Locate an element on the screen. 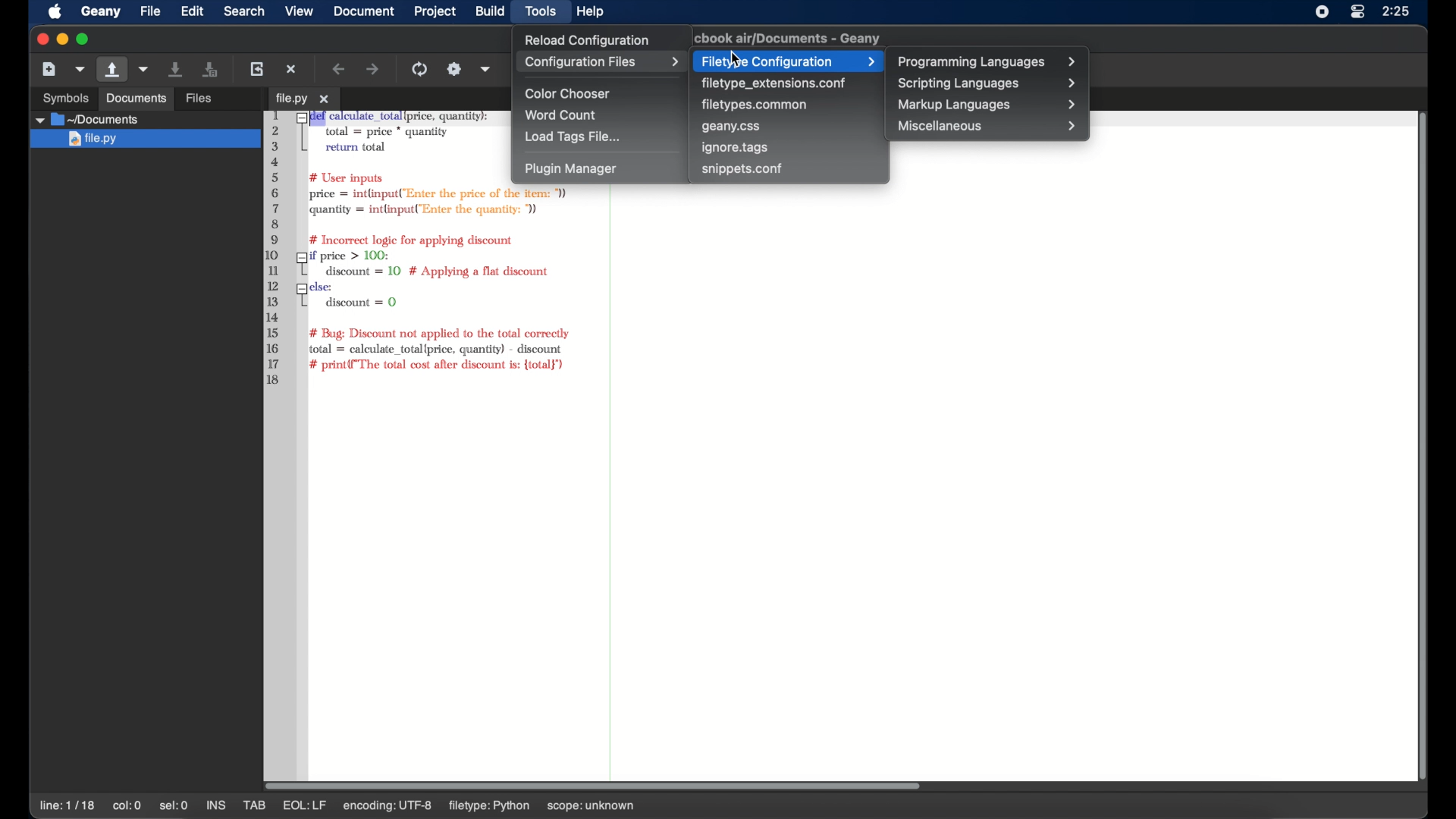 The width and height of the screenshot is (1456, 819). word count is located at coordinates (563, 115).